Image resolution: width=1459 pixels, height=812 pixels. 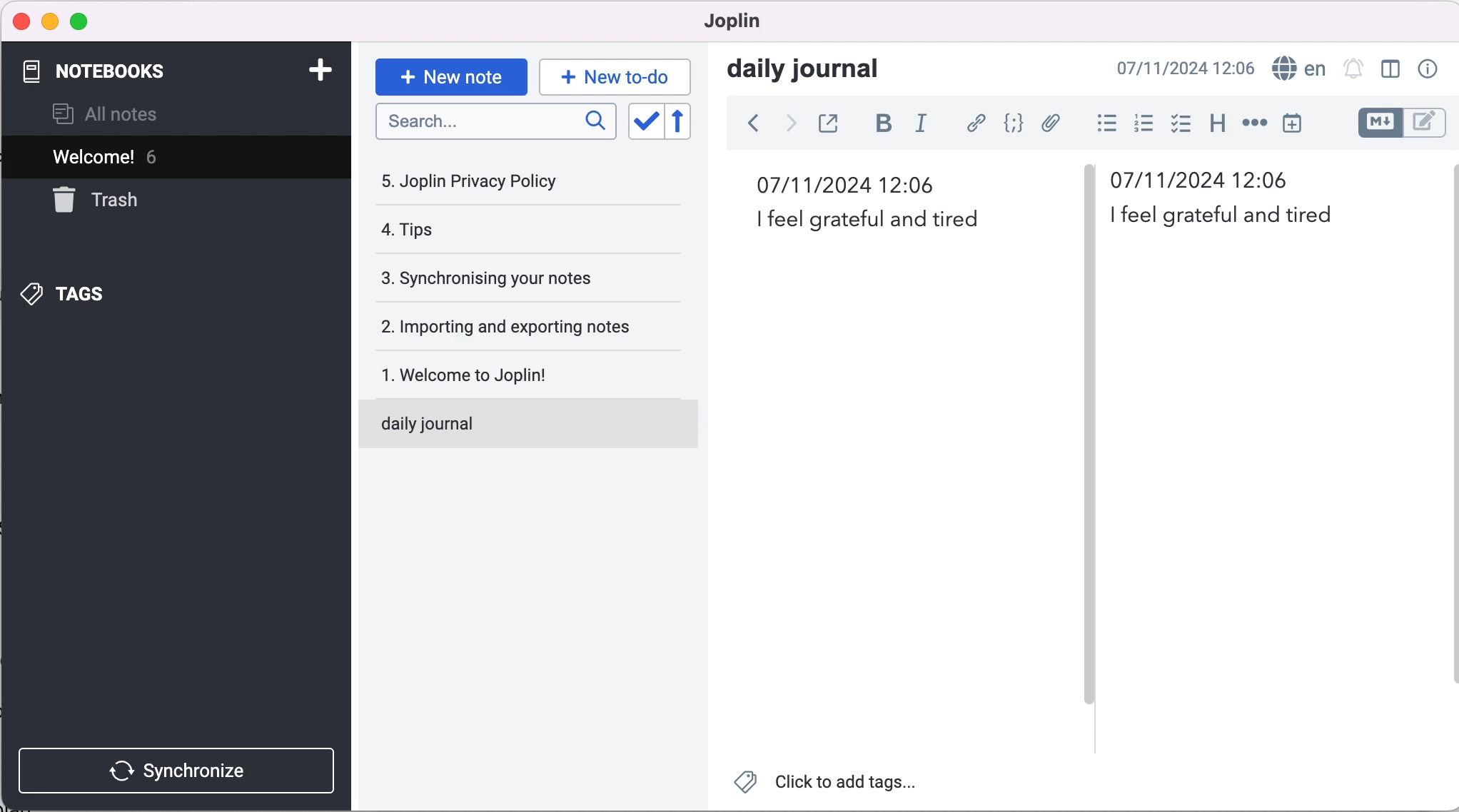 What do you see at coordinates (19, 22) in the screenshot?
I see `close` at bounding box center [19, 22].